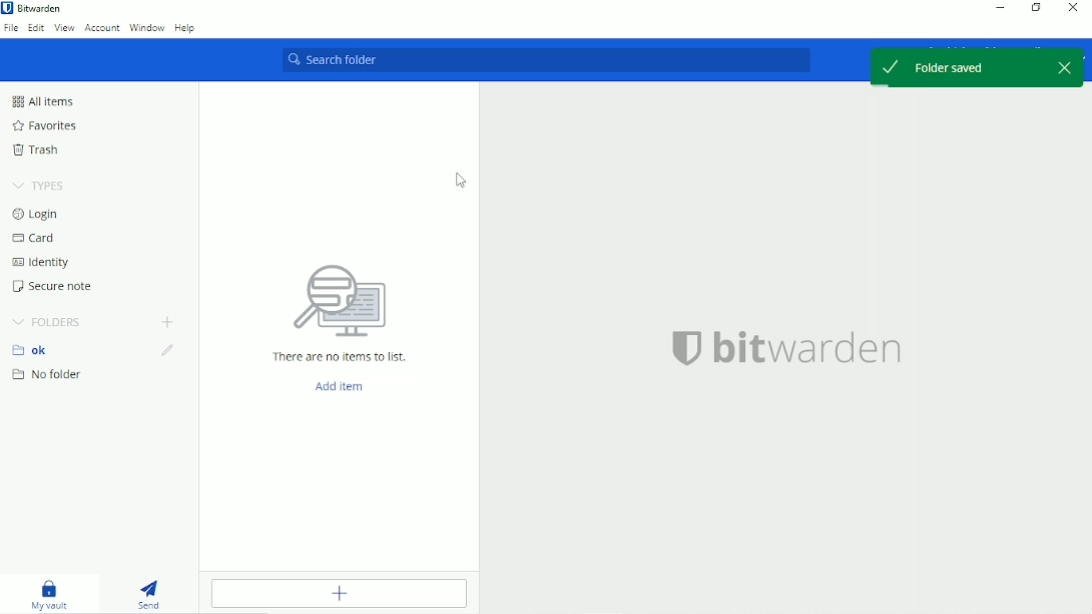 Image resolution: width=1092 pixels, height=614 pixels. I want to click on Close, so click(1074, 8).